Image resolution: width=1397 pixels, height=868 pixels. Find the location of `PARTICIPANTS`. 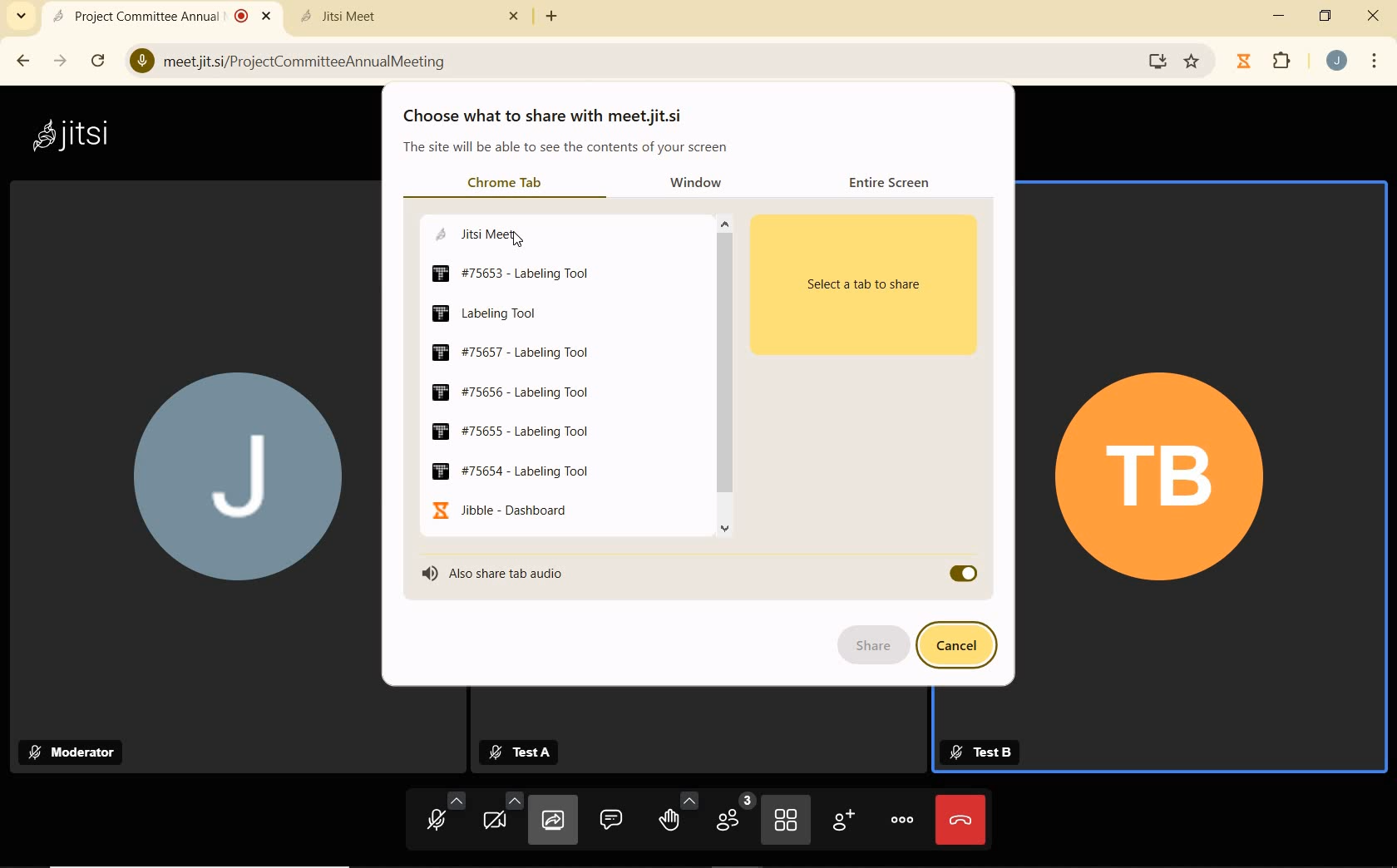

PARTICIPANTS is located at coordinates (733, 818).